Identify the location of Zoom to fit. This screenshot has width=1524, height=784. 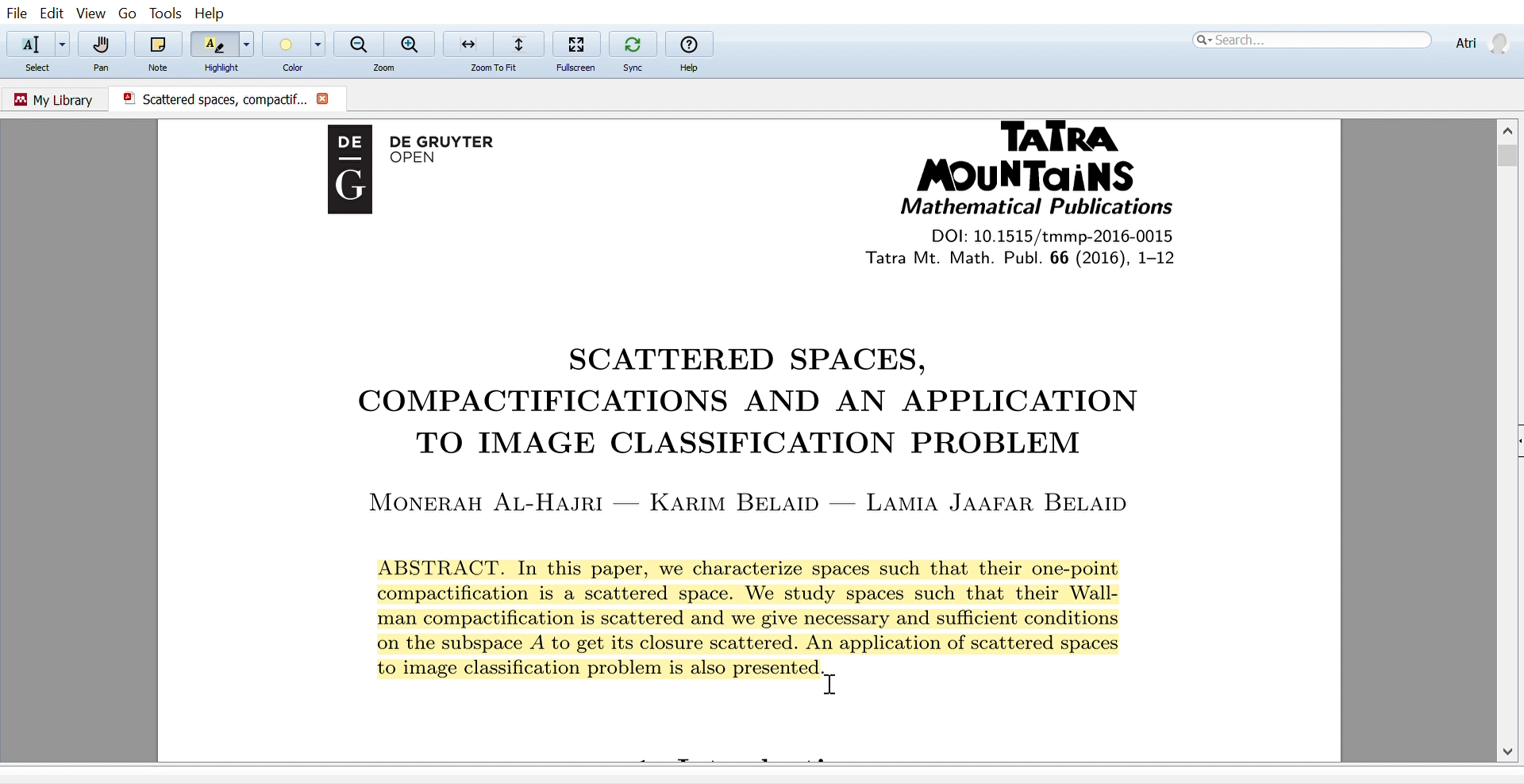
(492, 43).